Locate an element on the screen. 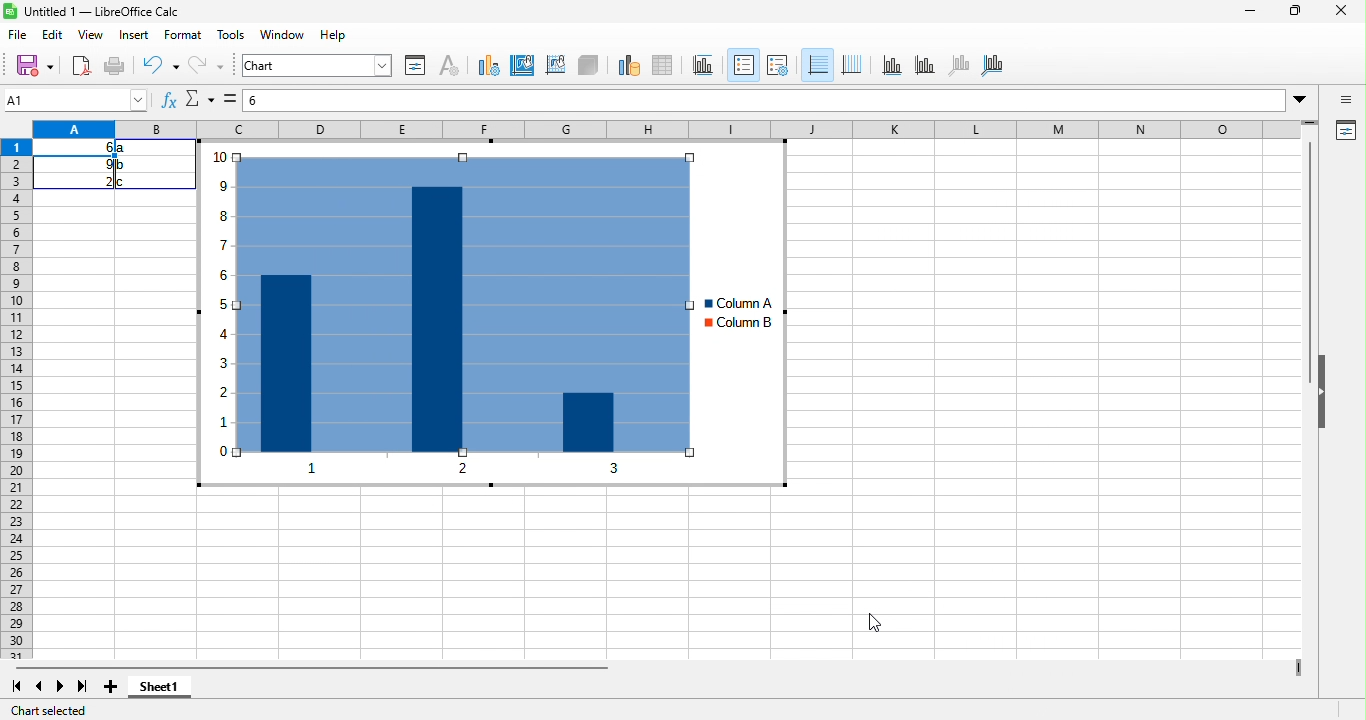 This screenshot has height=720, width=1366. export as pdf is located at coordinates (81, 65).